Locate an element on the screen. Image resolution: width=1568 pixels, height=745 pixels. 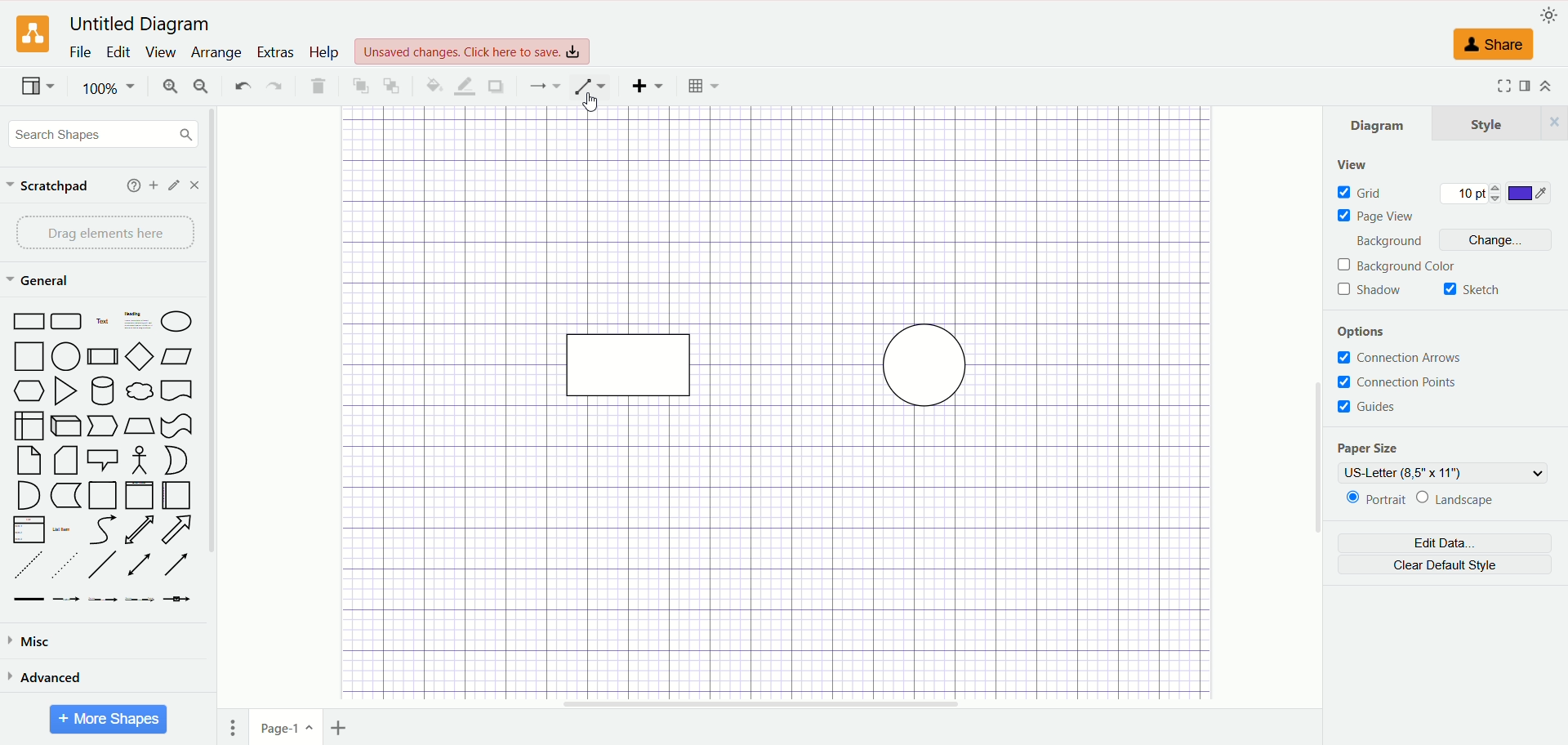
page view is located at coordinates (1376, 216).